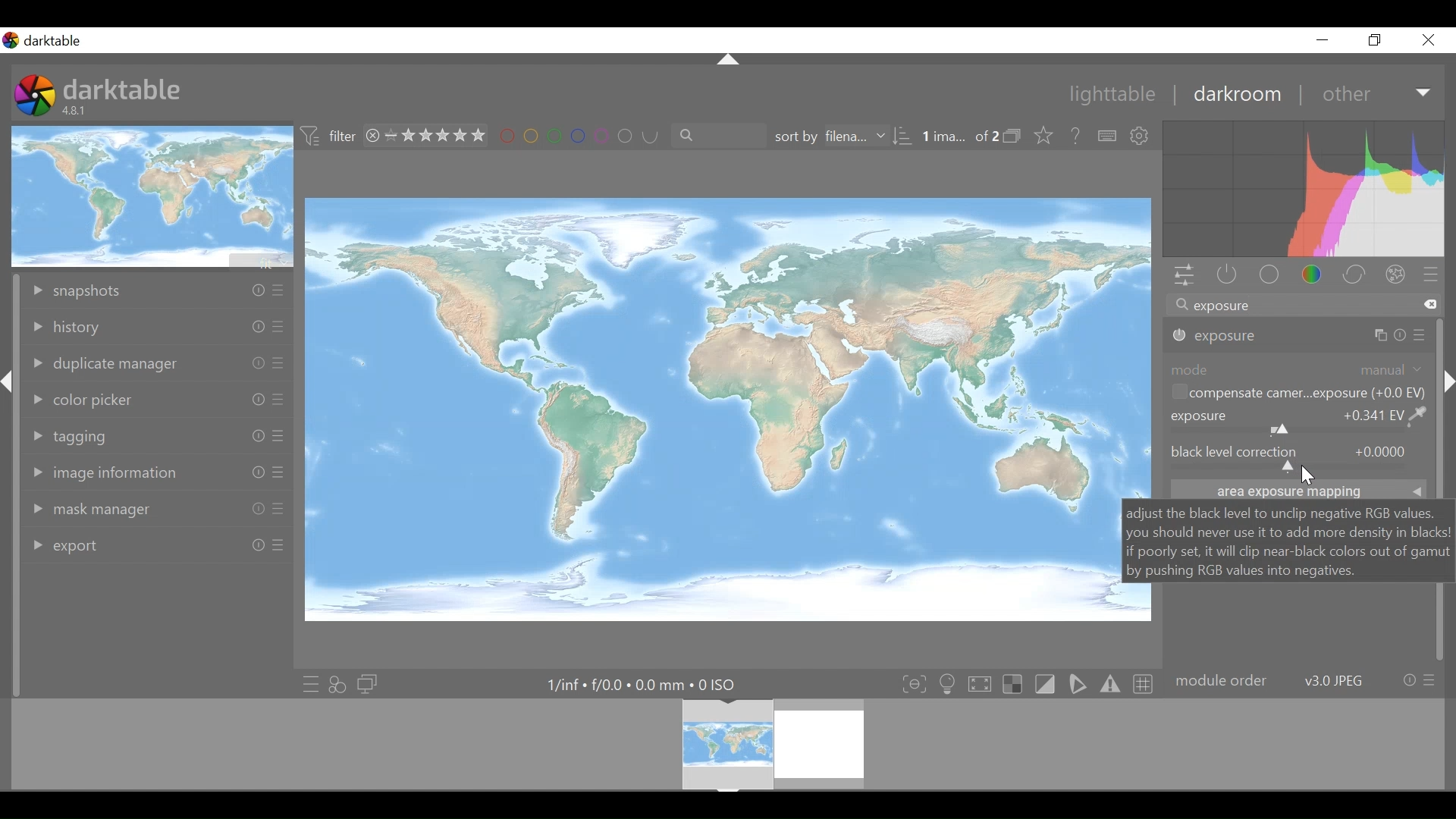 The width and height of the screenshot is (1456, 819). I want to click on Image 1 out of 2 selected, so click(959, 135).